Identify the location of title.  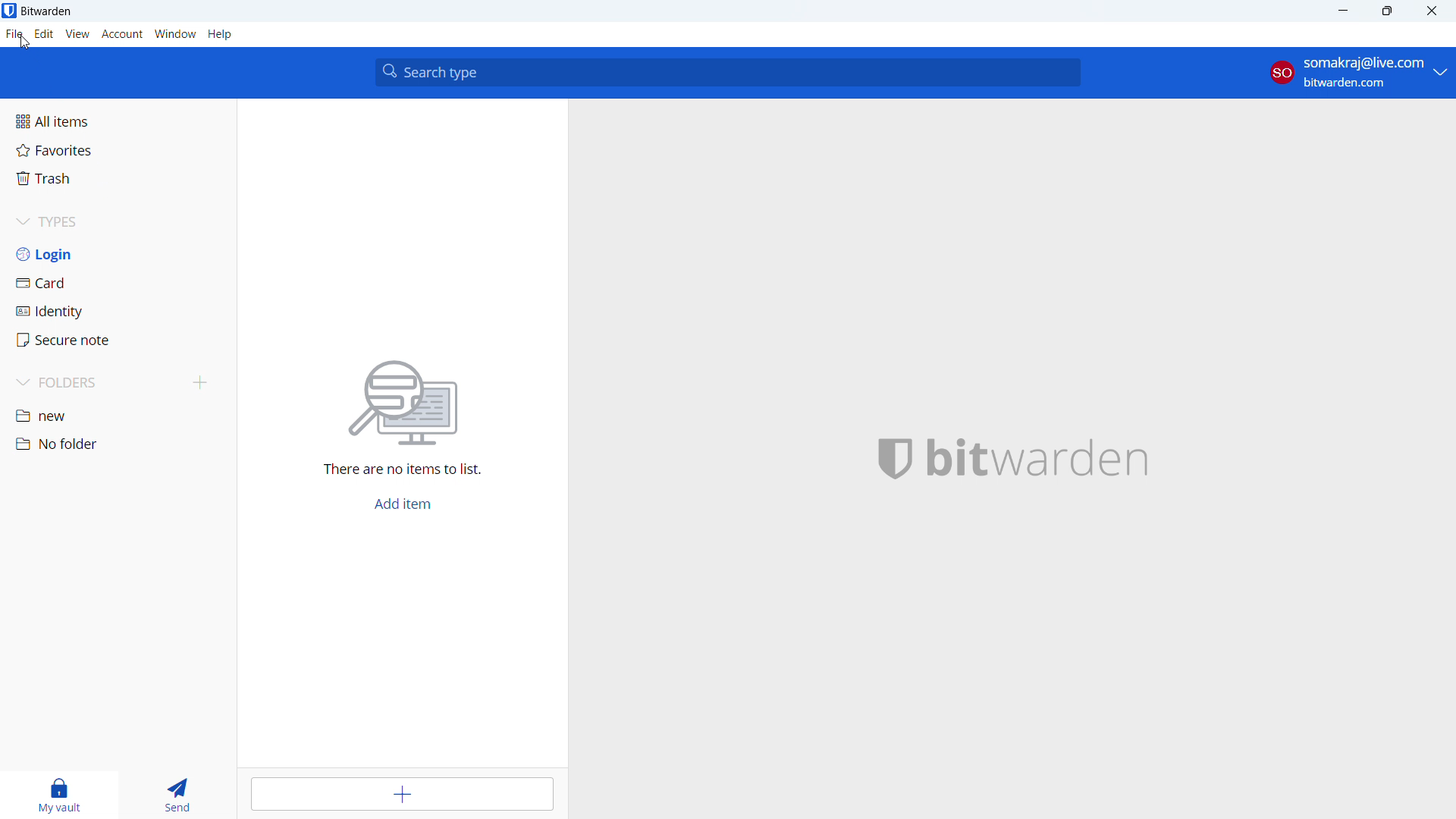
(47, 11).